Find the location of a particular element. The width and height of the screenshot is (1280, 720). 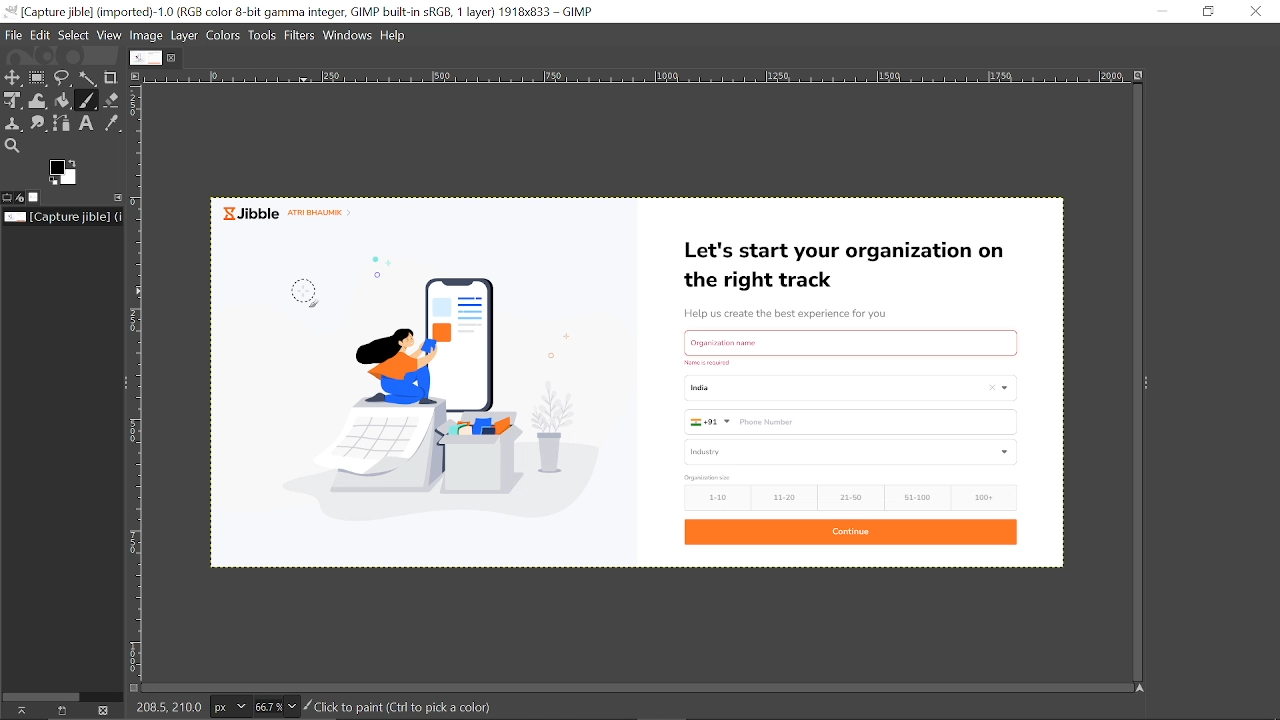

Move tool is located at coordinates (13, 77).